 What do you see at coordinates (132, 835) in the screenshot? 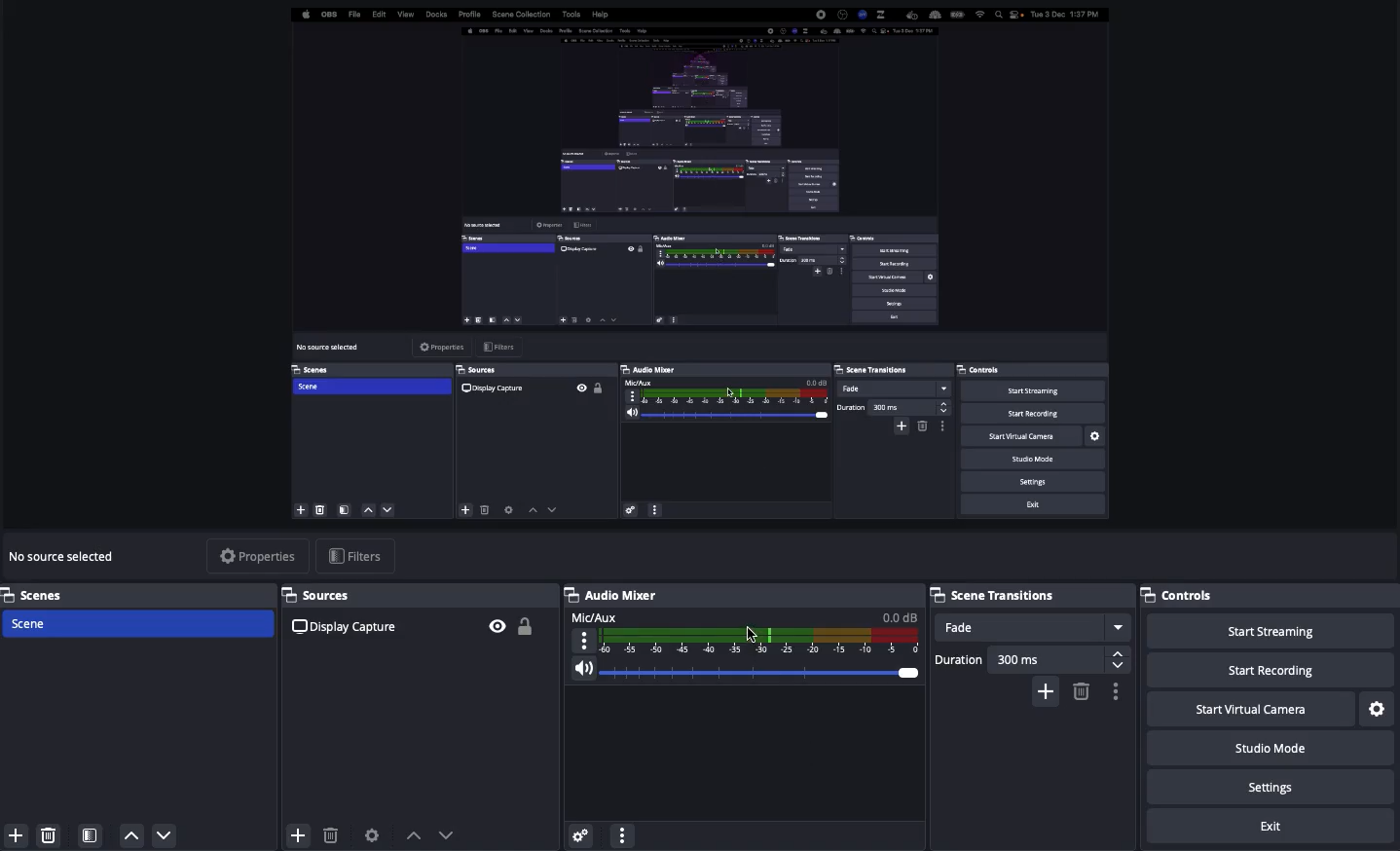
I see `Up` at bounding box center [132, 835].